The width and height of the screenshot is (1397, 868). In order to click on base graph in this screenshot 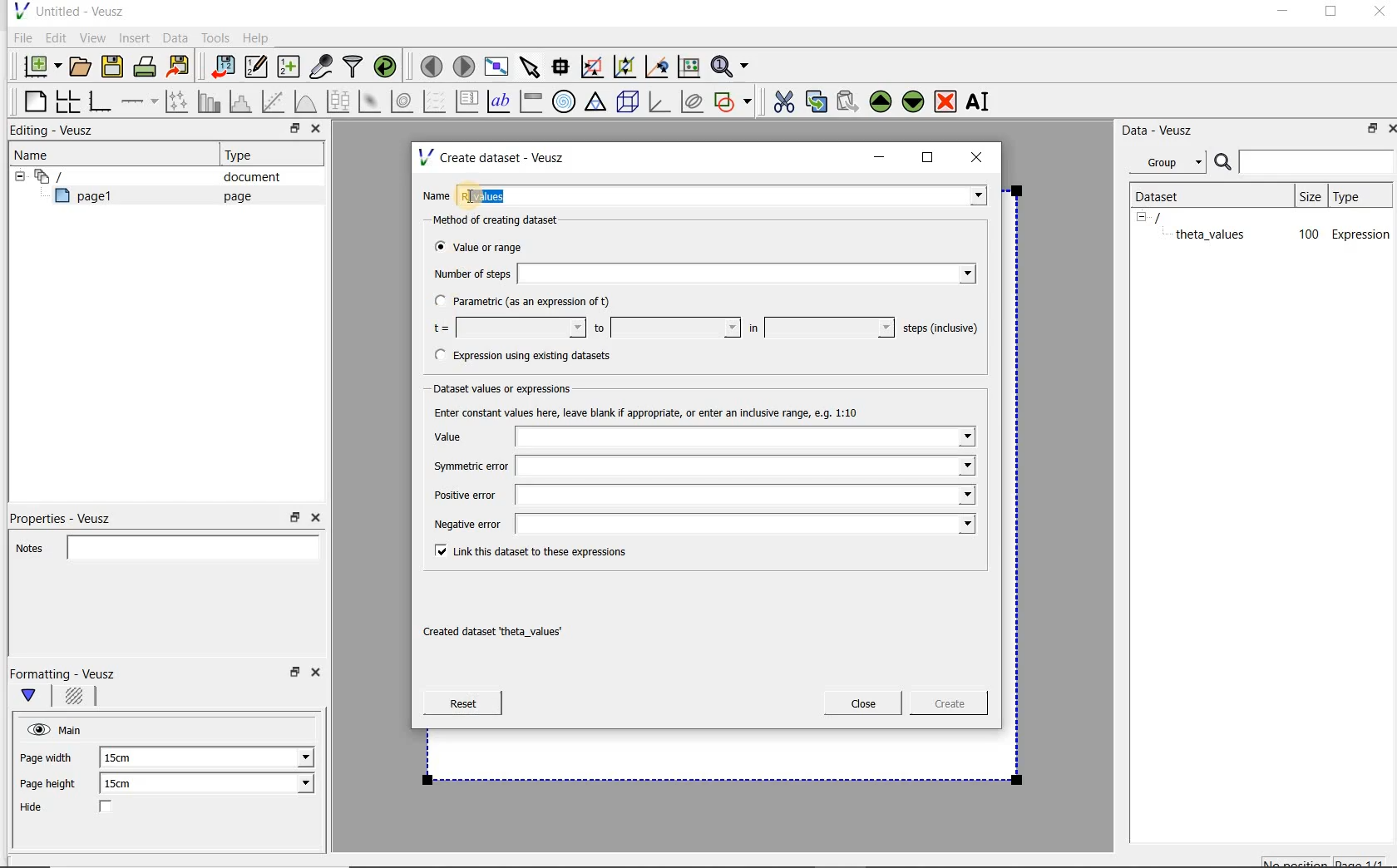, I will do `click(99, 102)`.